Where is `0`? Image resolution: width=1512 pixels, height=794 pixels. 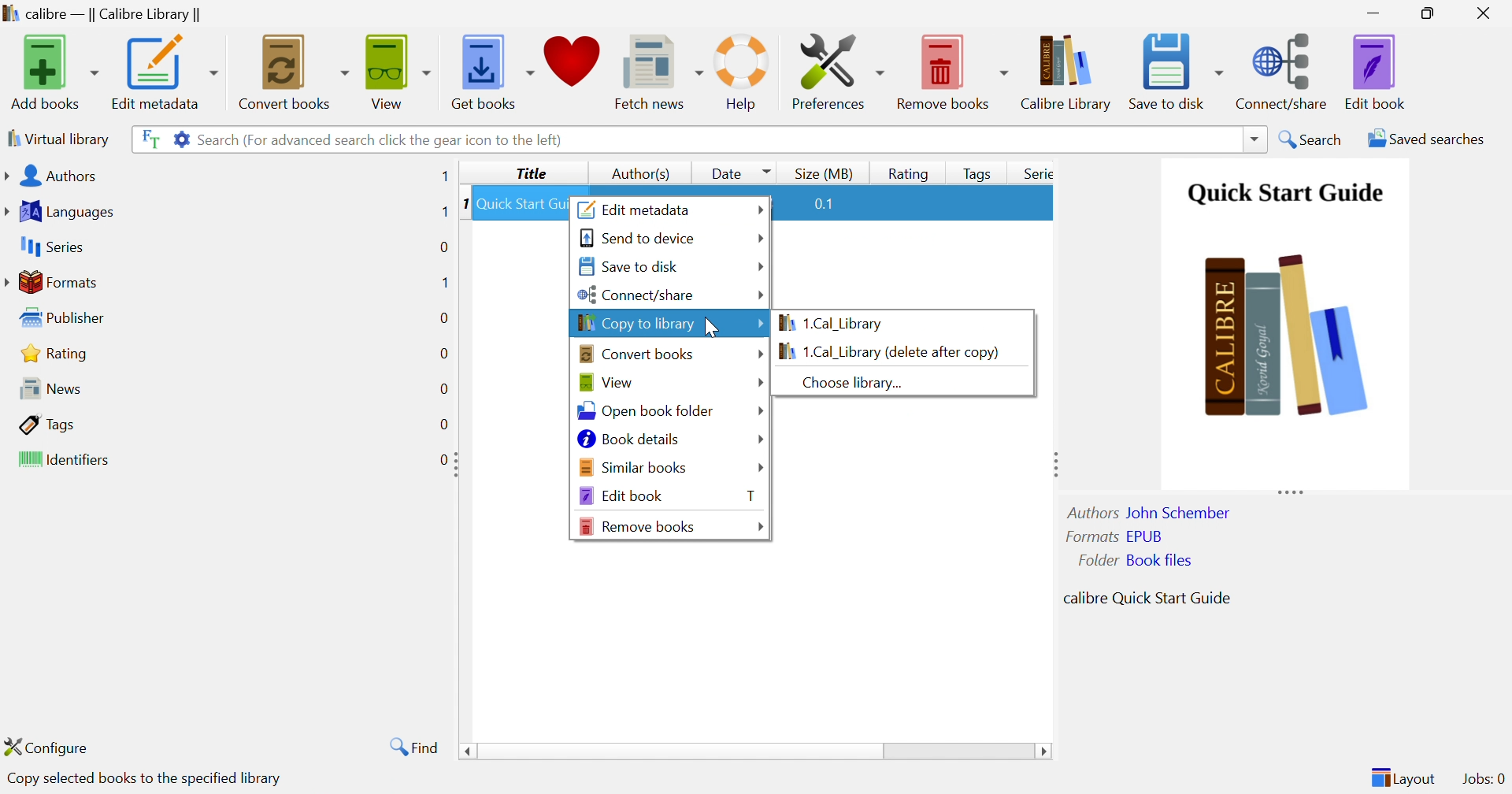
0 is located at coordinates (442, 388).